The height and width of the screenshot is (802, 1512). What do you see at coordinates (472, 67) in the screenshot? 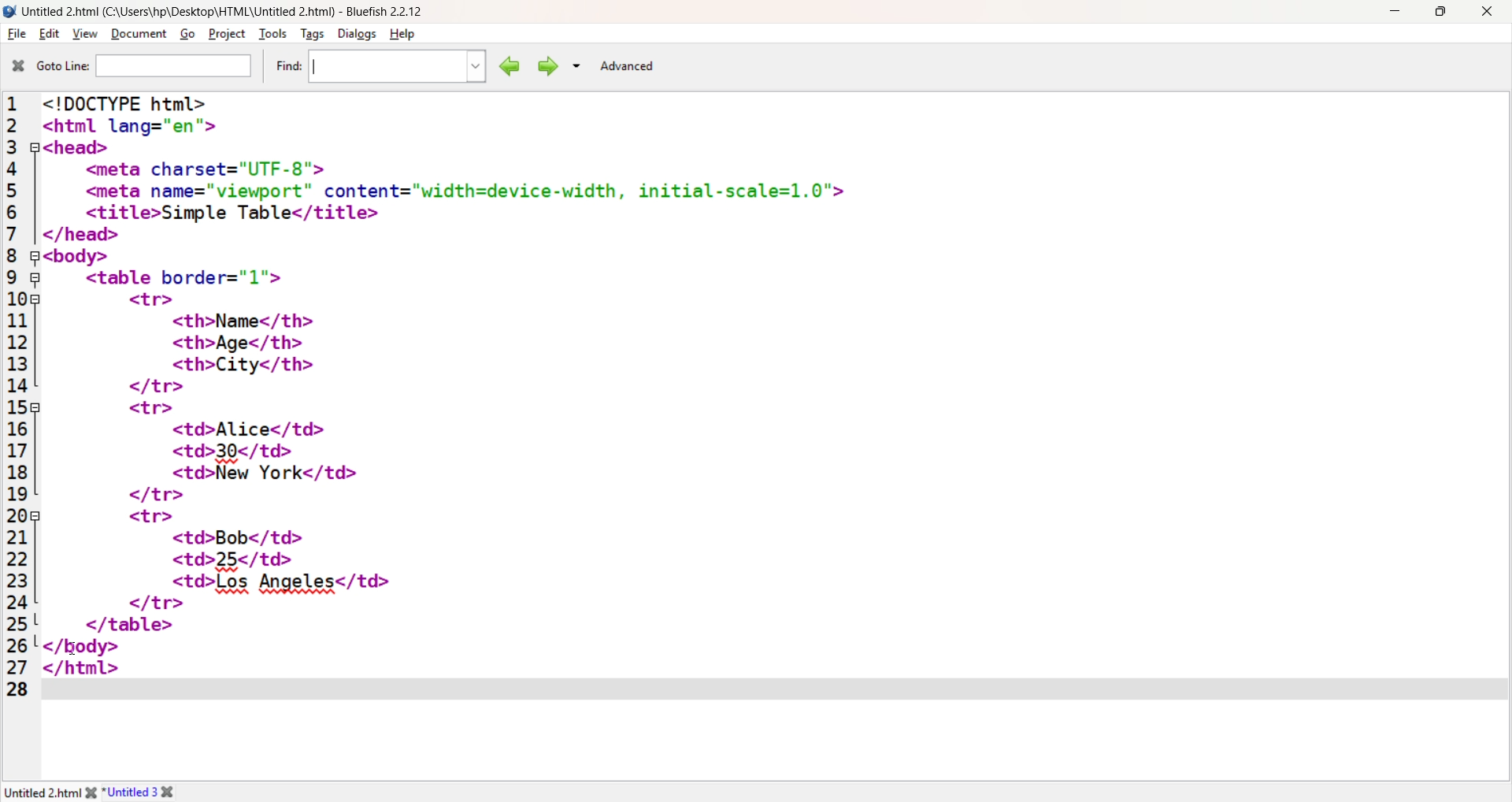
I see `Find Drop Down` at bounding box center [472, 67].